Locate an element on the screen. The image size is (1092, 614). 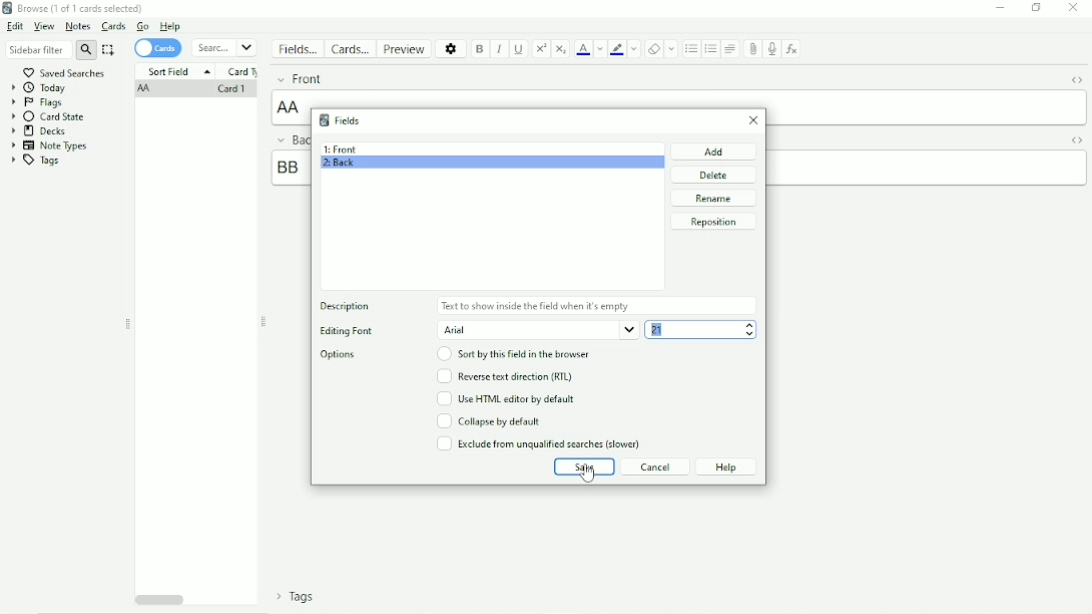
Change color is located at coordinates (599, 49).